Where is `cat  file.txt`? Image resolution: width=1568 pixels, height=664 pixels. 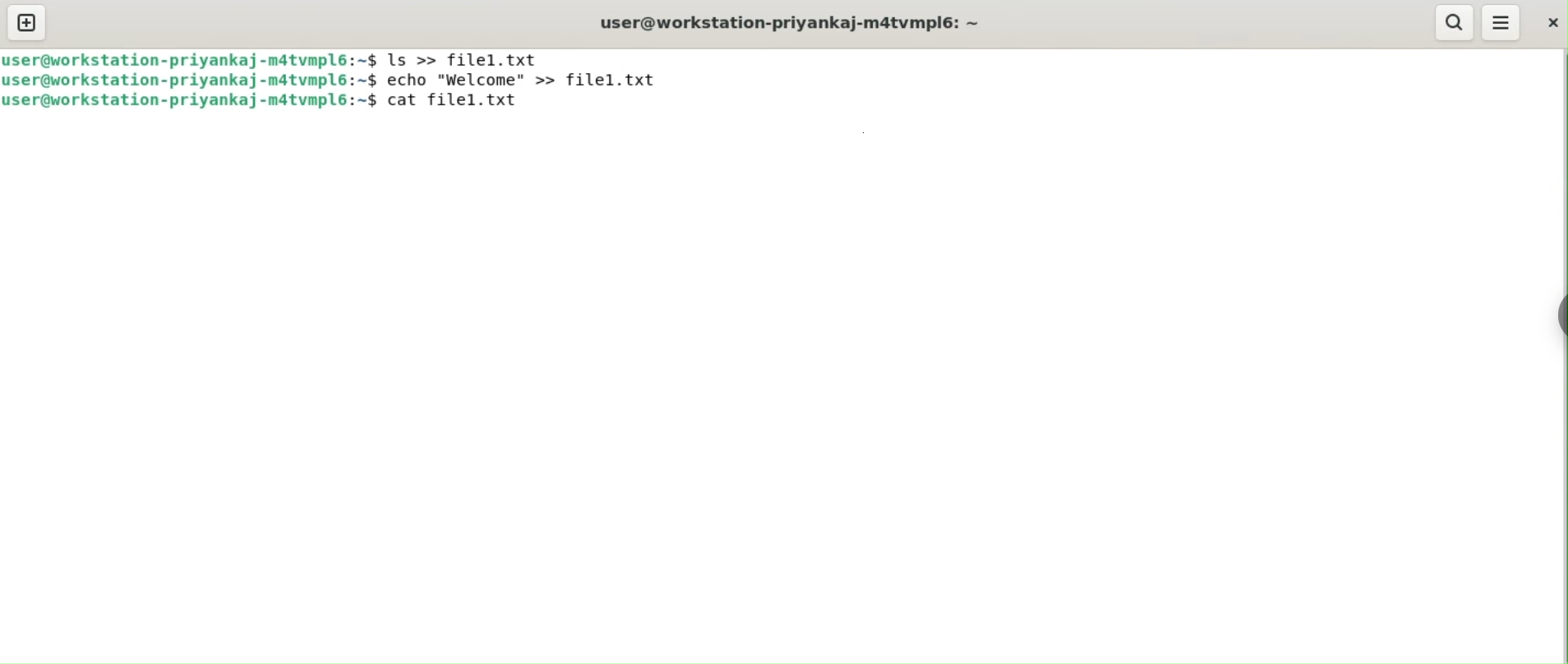 cat  file.txt is located at coordinates (459, 102).